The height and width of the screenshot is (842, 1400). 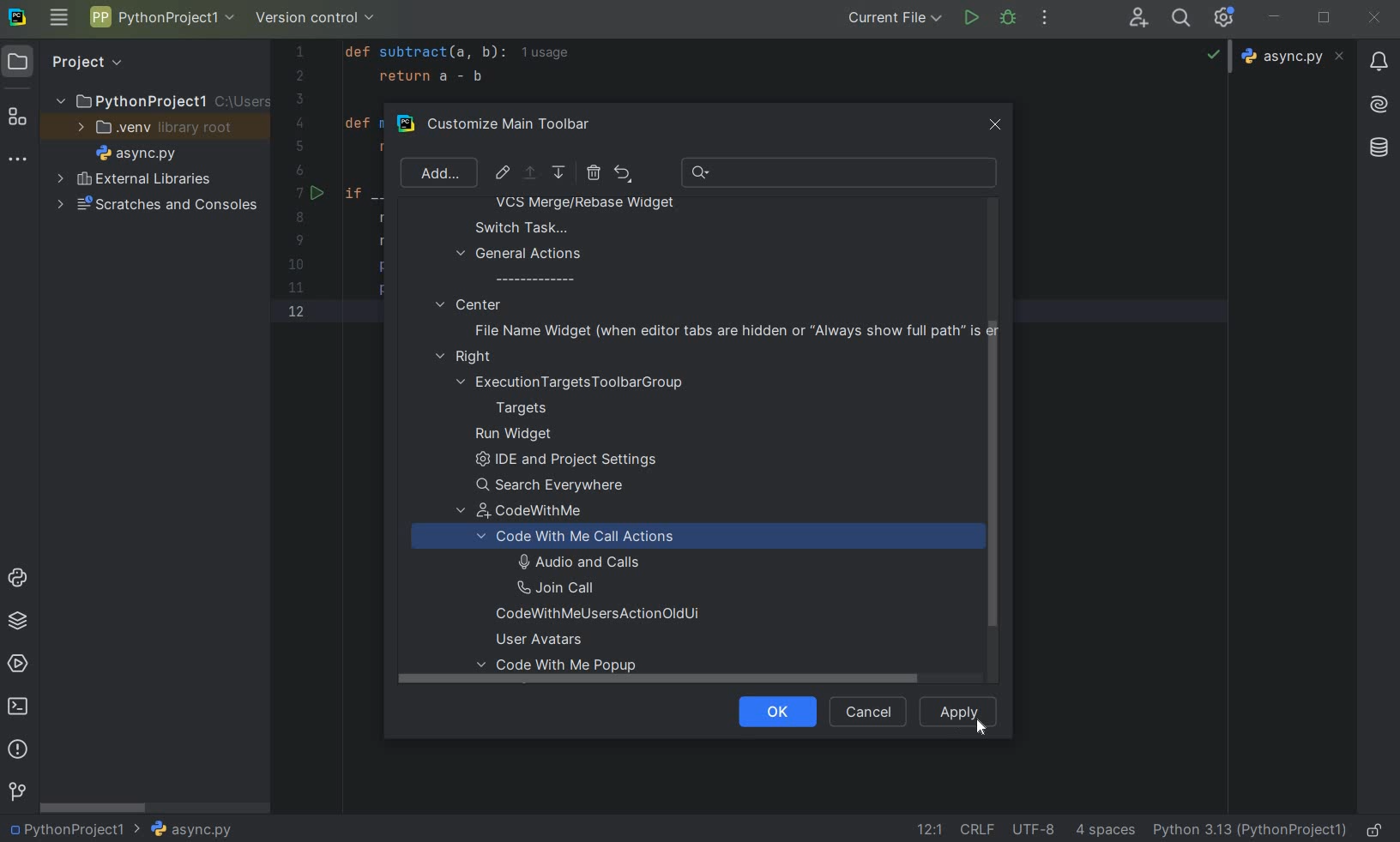 I want to click on EXTERNAL LIBRARIES, so click(x=135, y=180).